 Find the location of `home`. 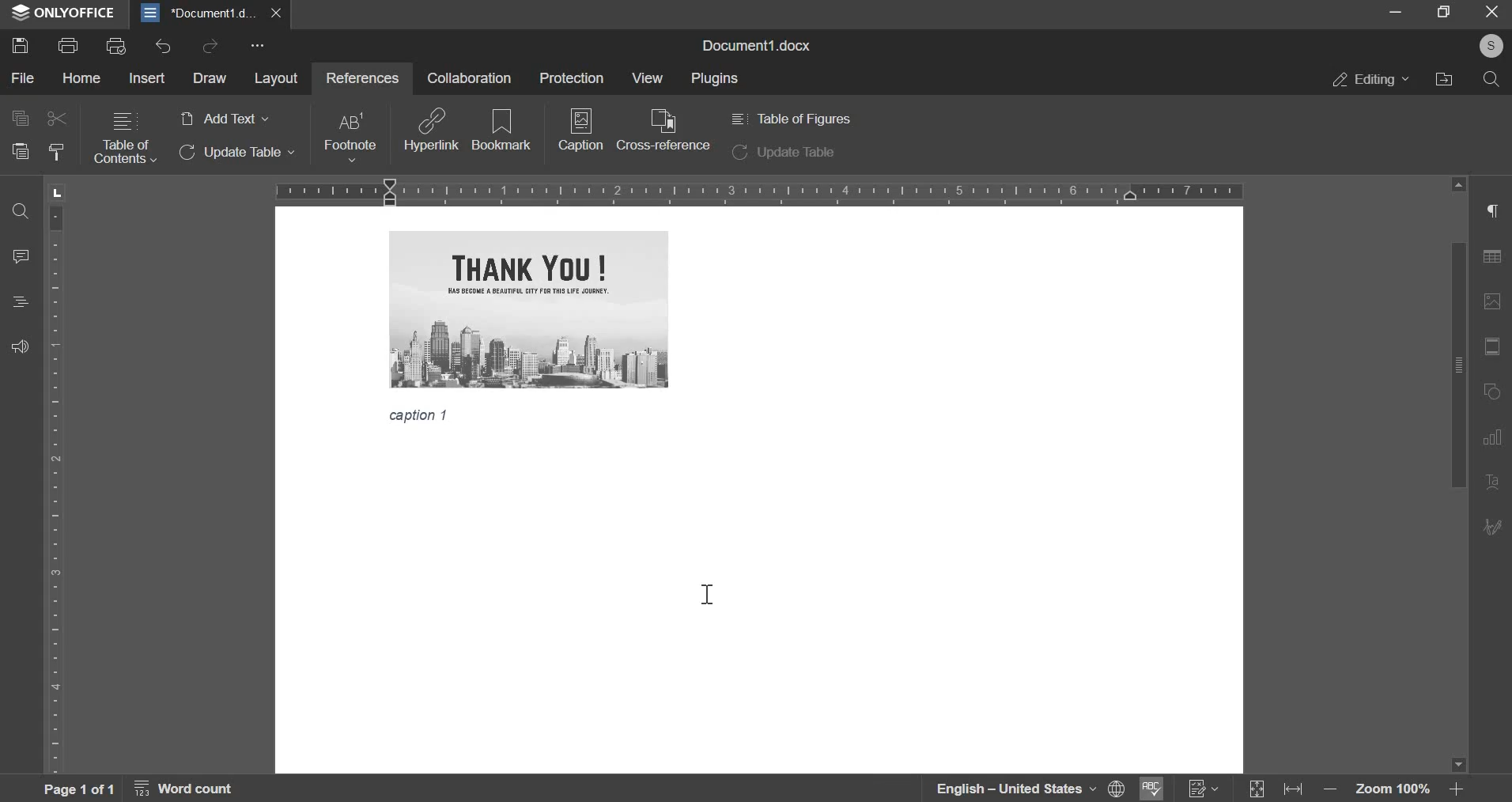

home is located at coordinates (82, 78).